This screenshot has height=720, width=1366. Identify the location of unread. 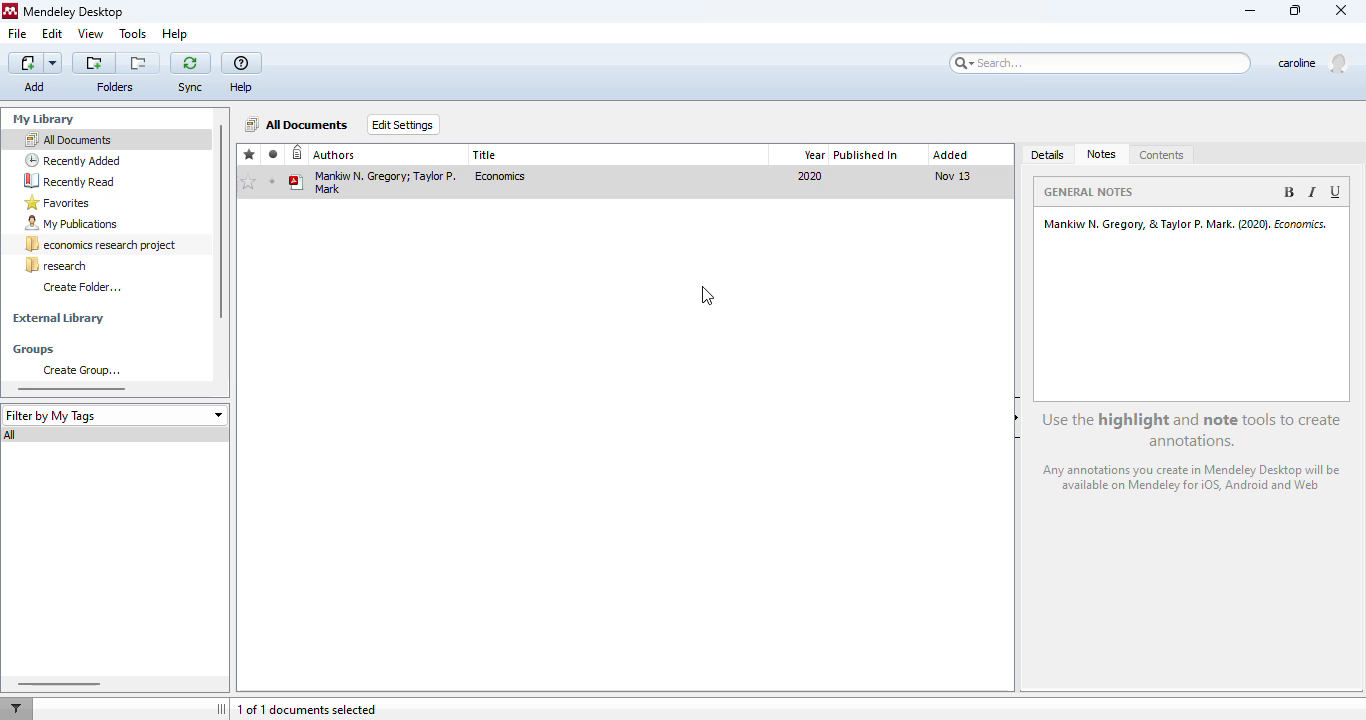
(272, 181).